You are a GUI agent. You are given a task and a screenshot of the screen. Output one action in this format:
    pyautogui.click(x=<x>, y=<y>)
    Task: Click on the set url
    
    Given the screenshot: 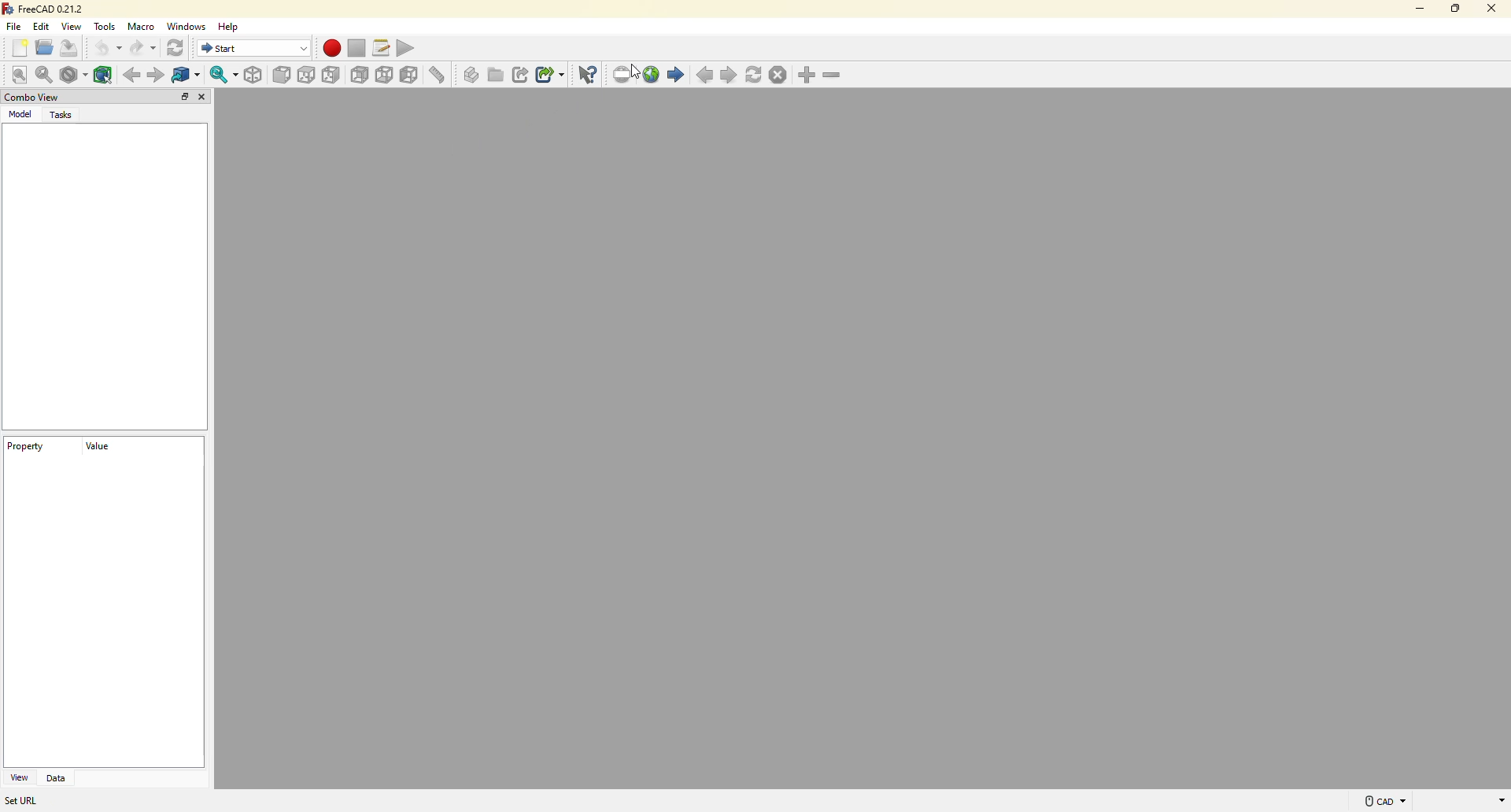 What is the action you would take?
    pyautogui.click(x=26, y=802)
    